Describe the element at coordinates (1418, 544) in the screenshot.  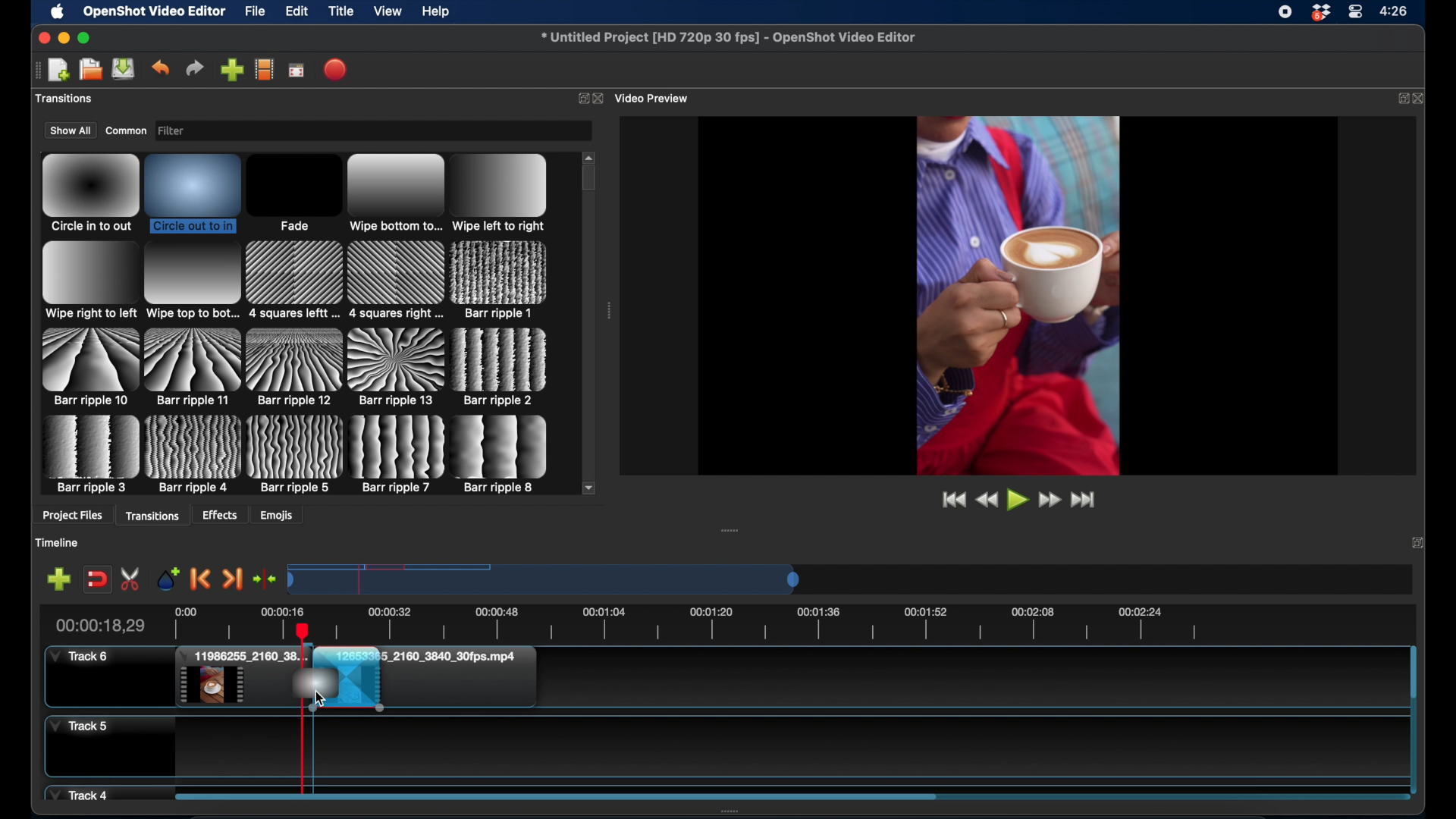
I see `expand` at that location.